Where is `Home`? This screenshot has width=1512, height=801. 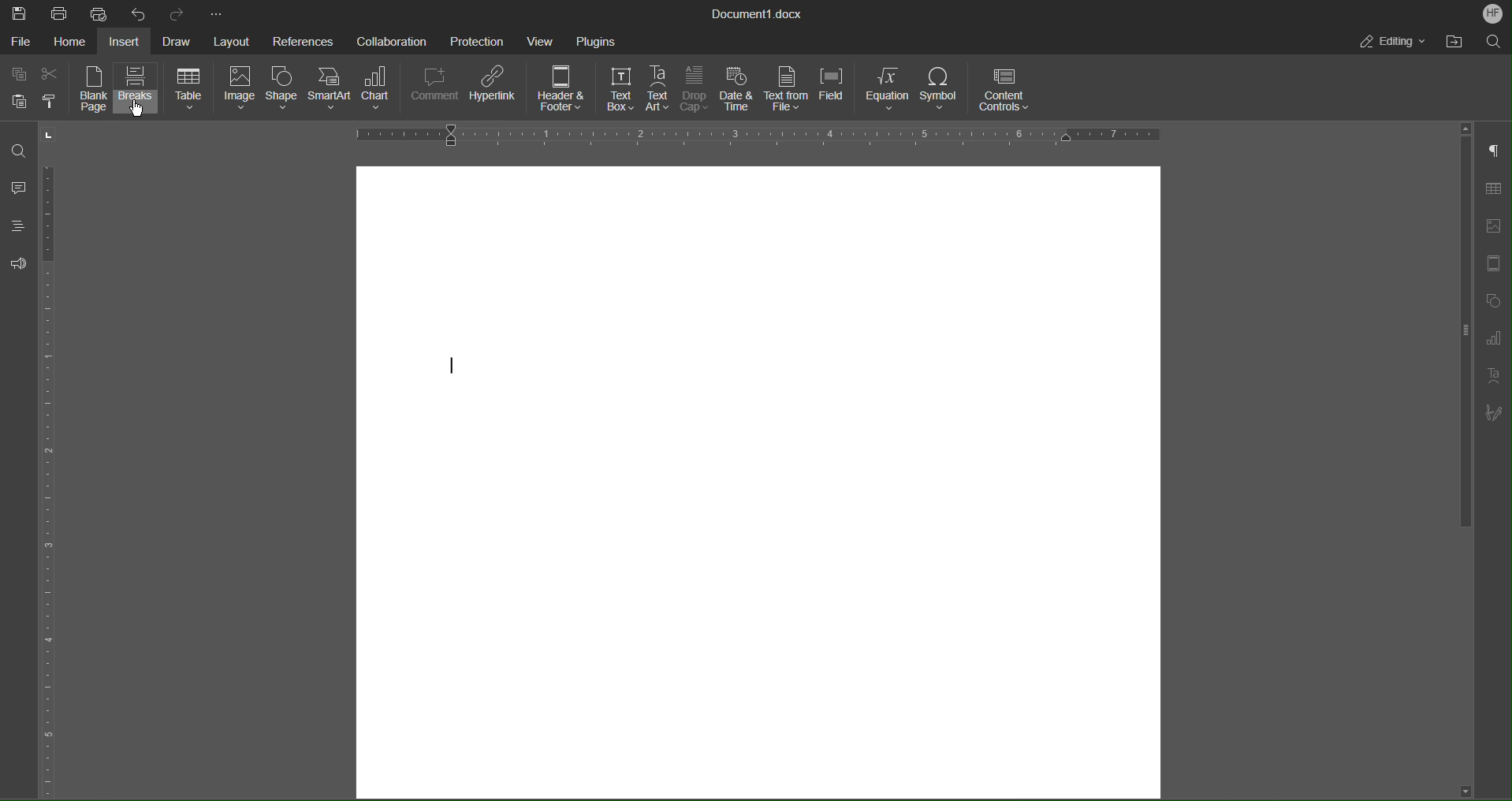 Home is located at coordinates (69, 39).